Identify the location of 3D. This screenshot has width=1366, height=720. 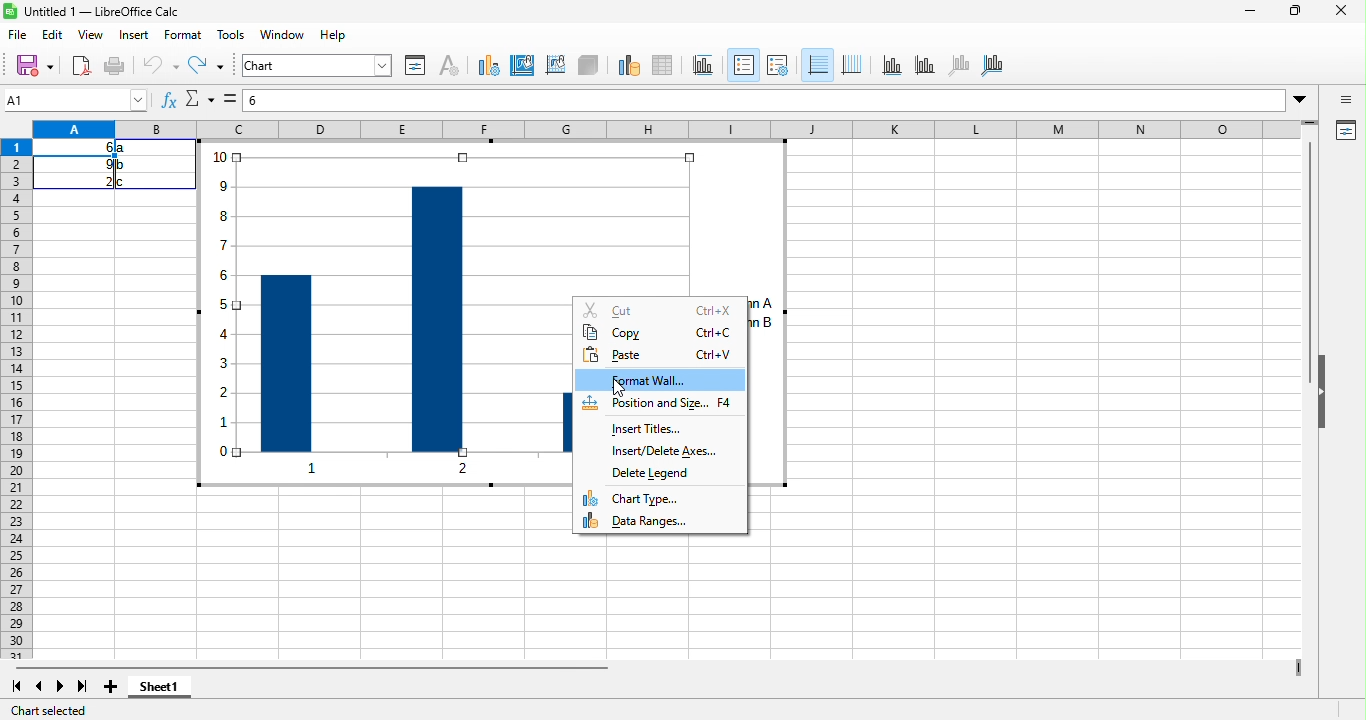
(588, 66).